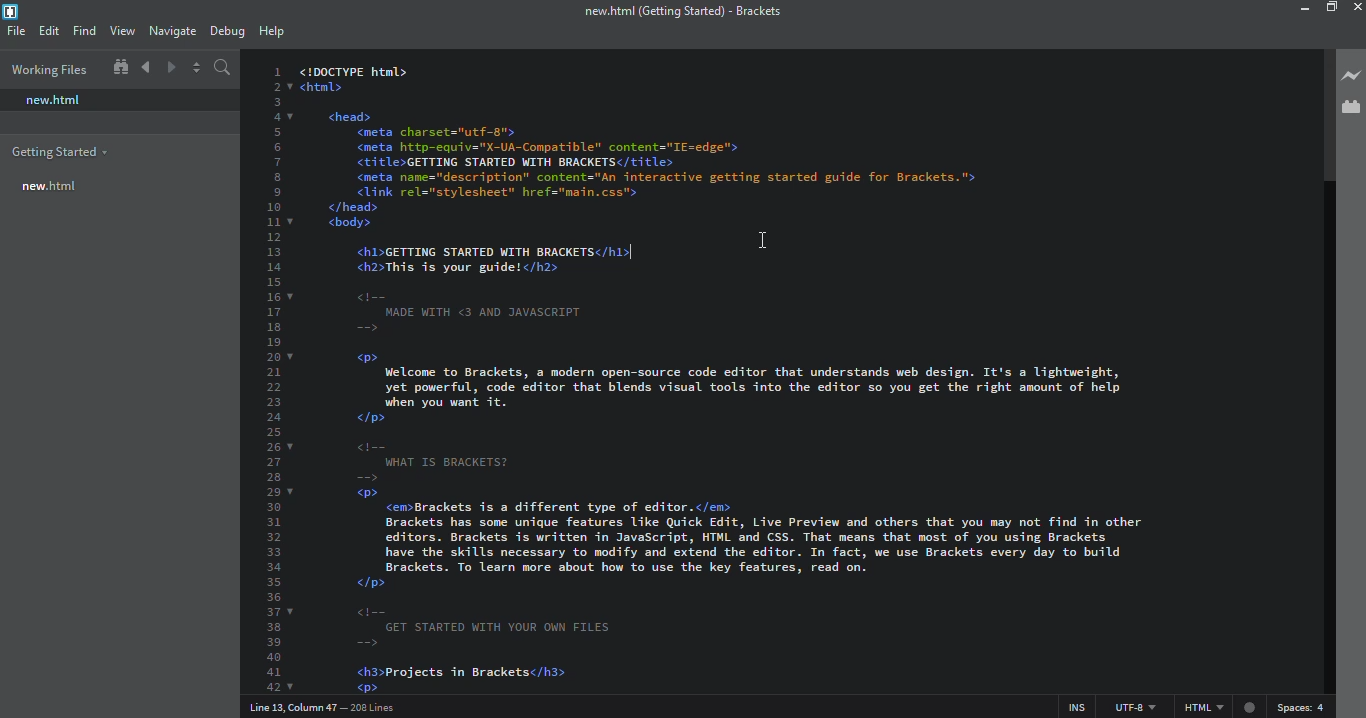 Image resolution: width=1366 pixels, height=718 pixels. I want to click on utf 8, so click(1134, 704).